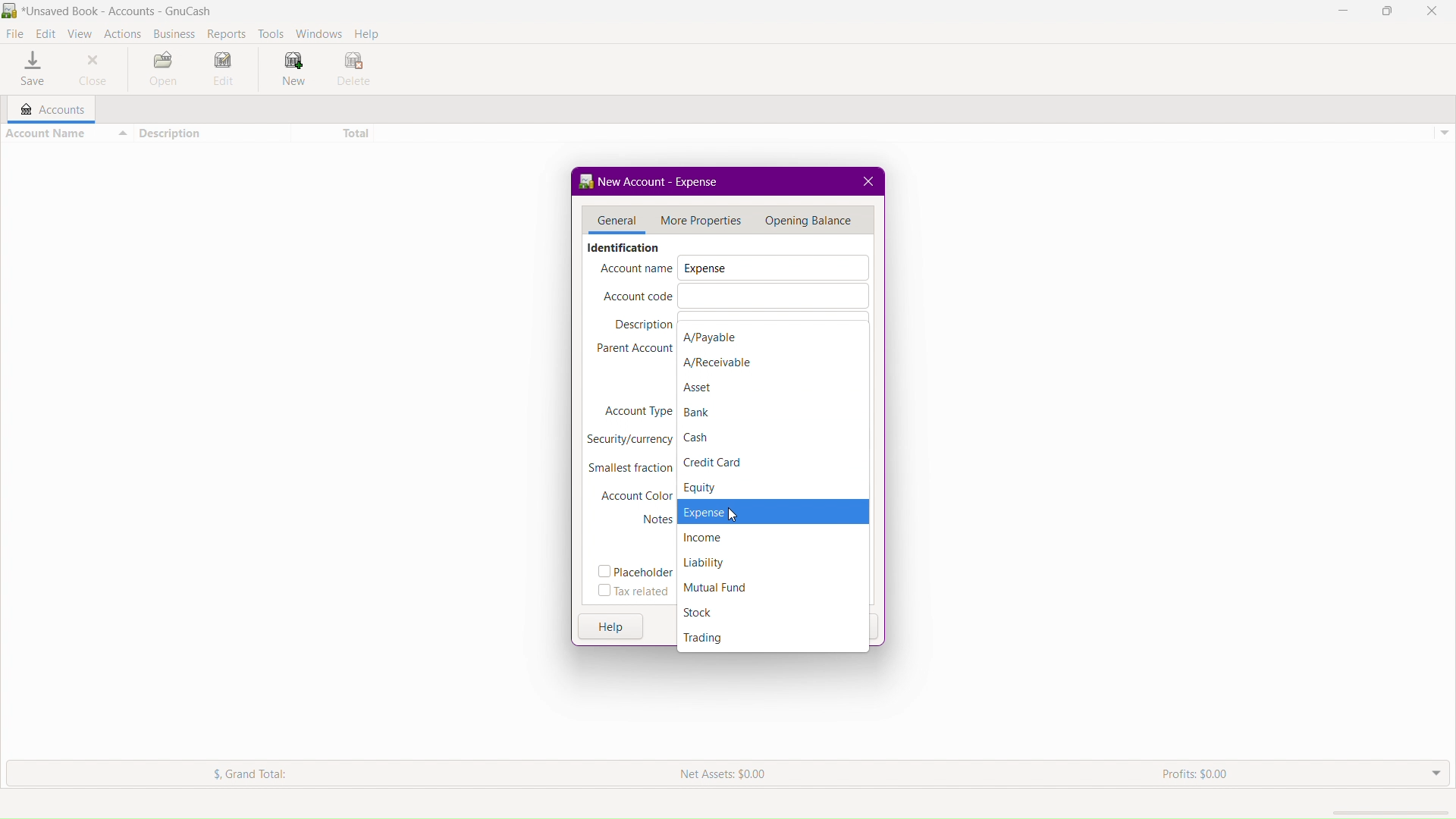 Image resolution: width=1456 pixels, height=819 pixels. Describe the element at coordinates (811, 218) in the screenshot. I see `` at that location.